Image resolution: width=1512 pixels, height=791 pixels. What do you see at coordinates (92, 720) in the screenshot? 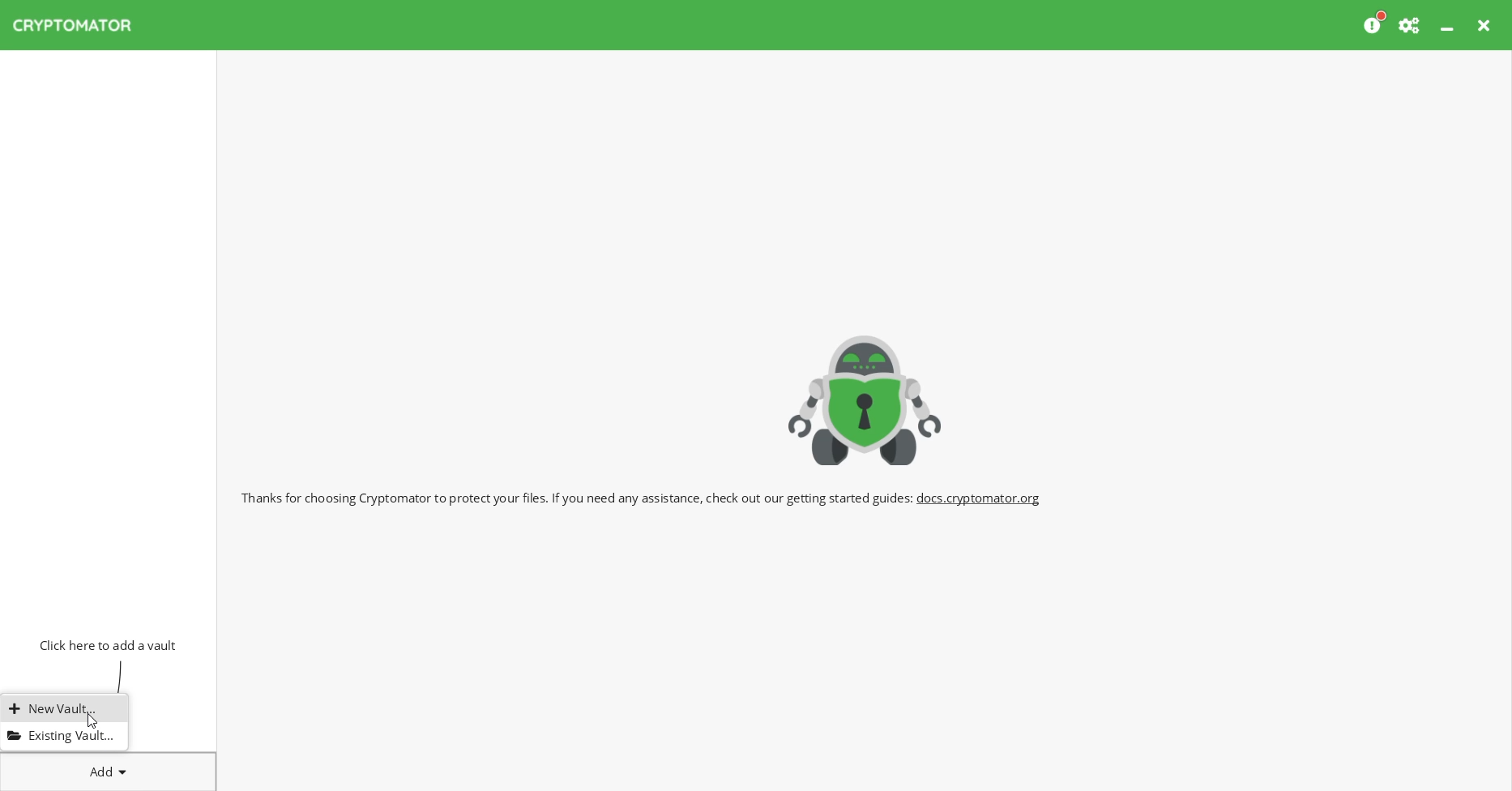
I see `Cursor` at bounding box center [92, 720].